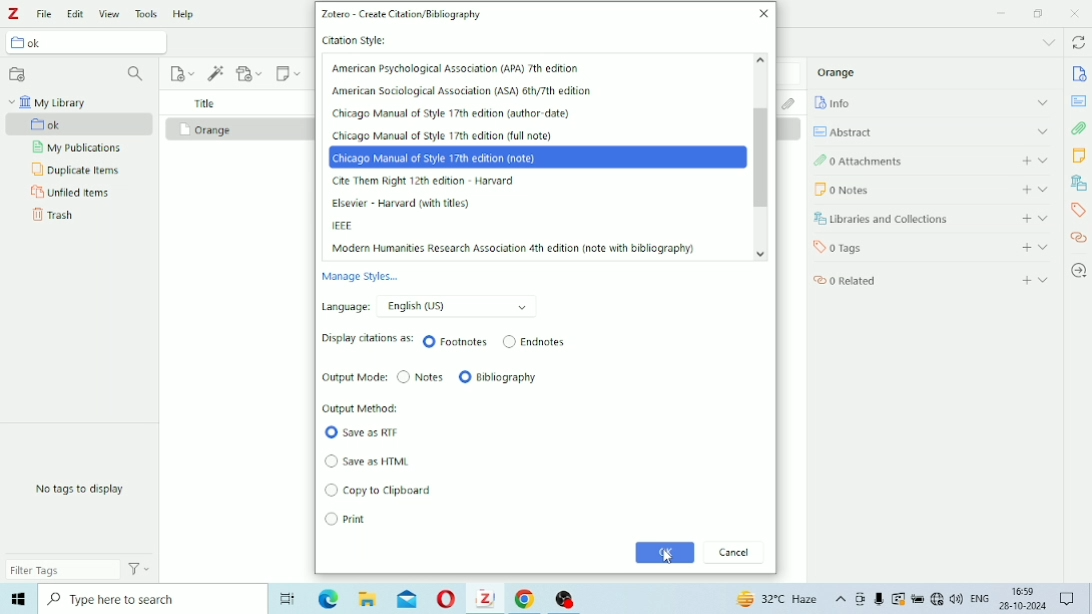 The width and height of the screenshot is (1092, 614). What do you see at coordinates (455, 68) in the screenshot?
I see `American Psychological Association (APA) 7th edition ` at bounding box center [455, 68].